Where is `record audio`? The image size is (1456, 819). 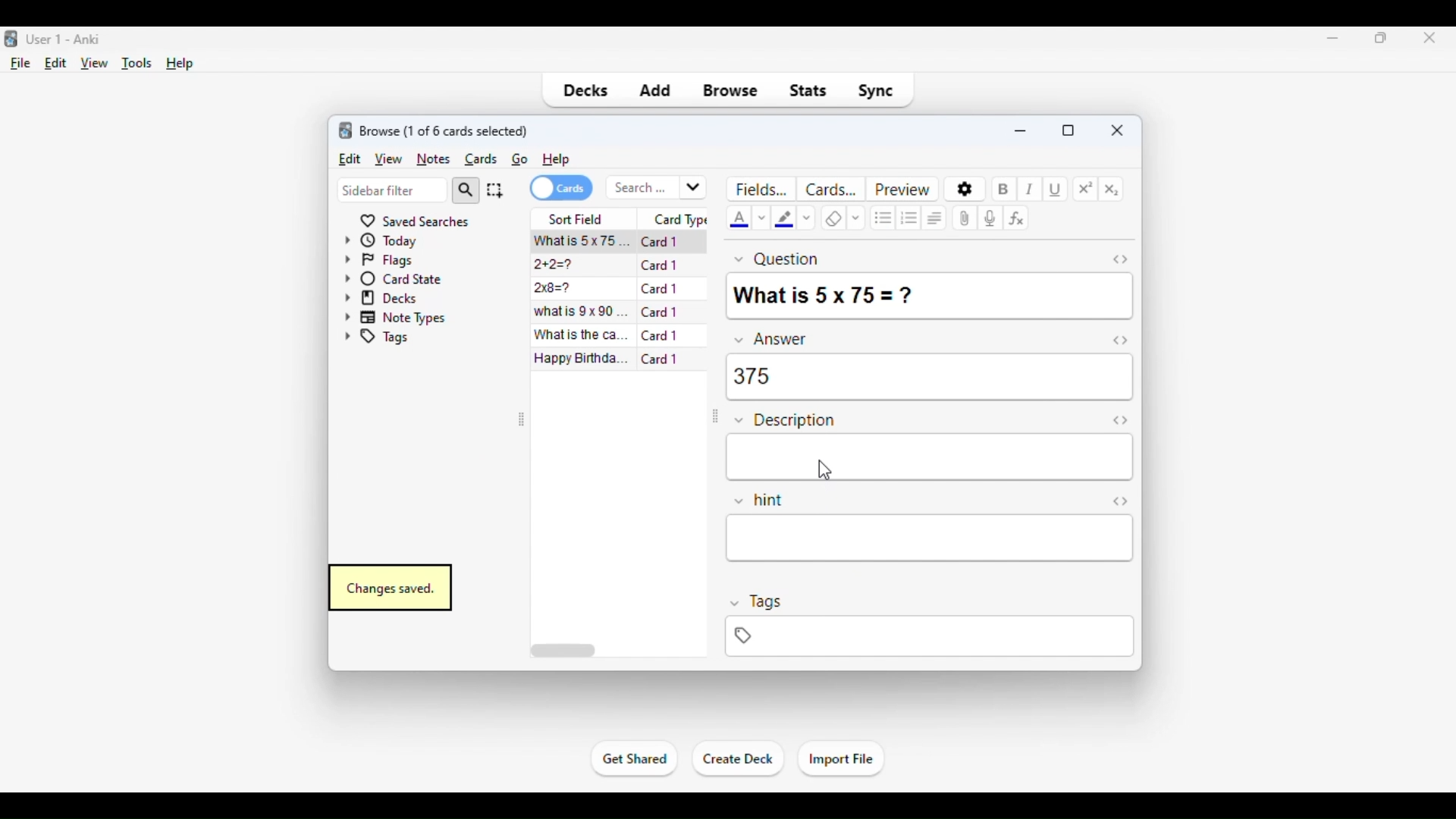 record audio is located at coordinates (990, 218).